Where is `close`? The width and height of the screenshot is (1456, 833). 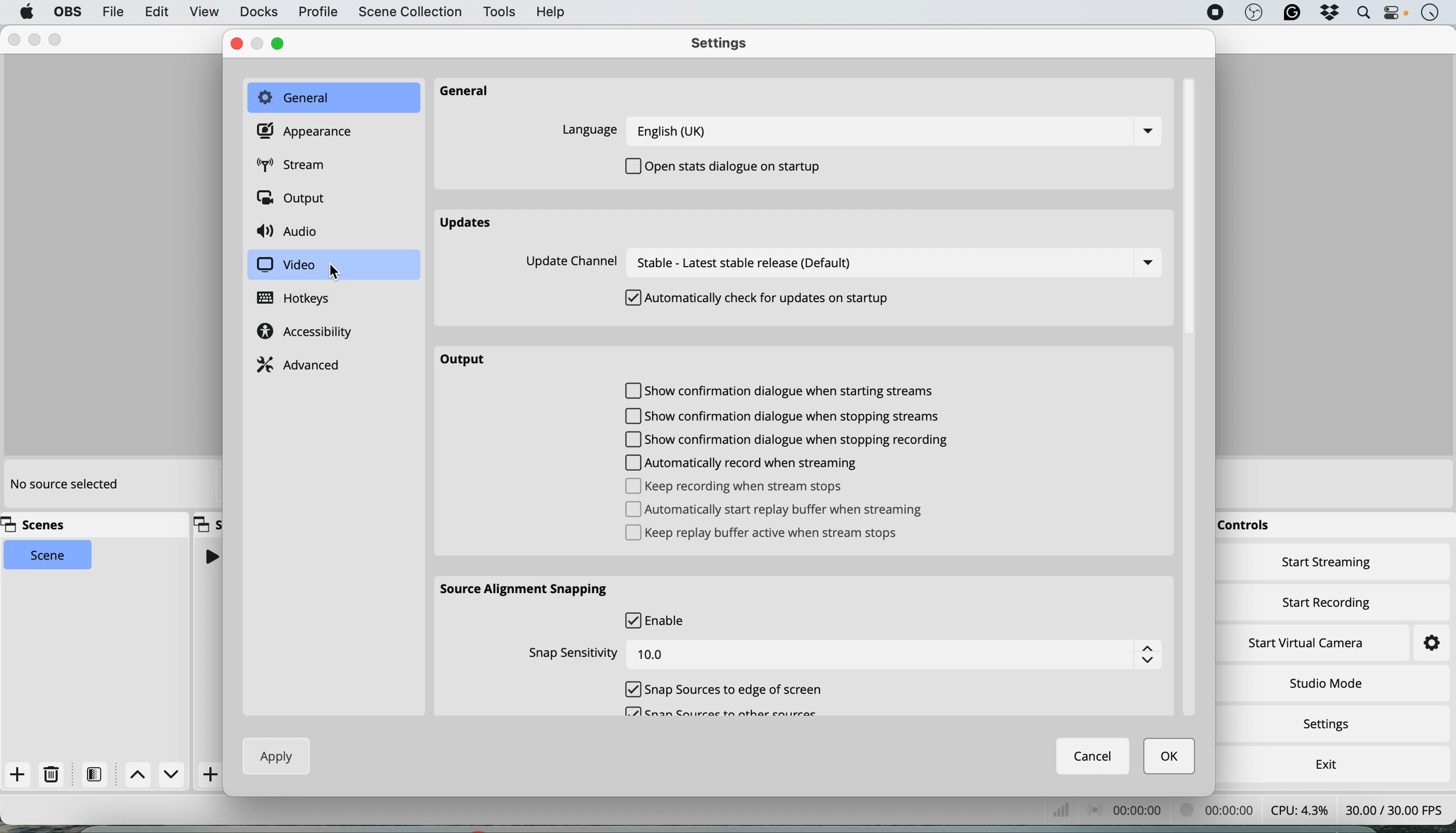 close is located at coordinates (237, 44).